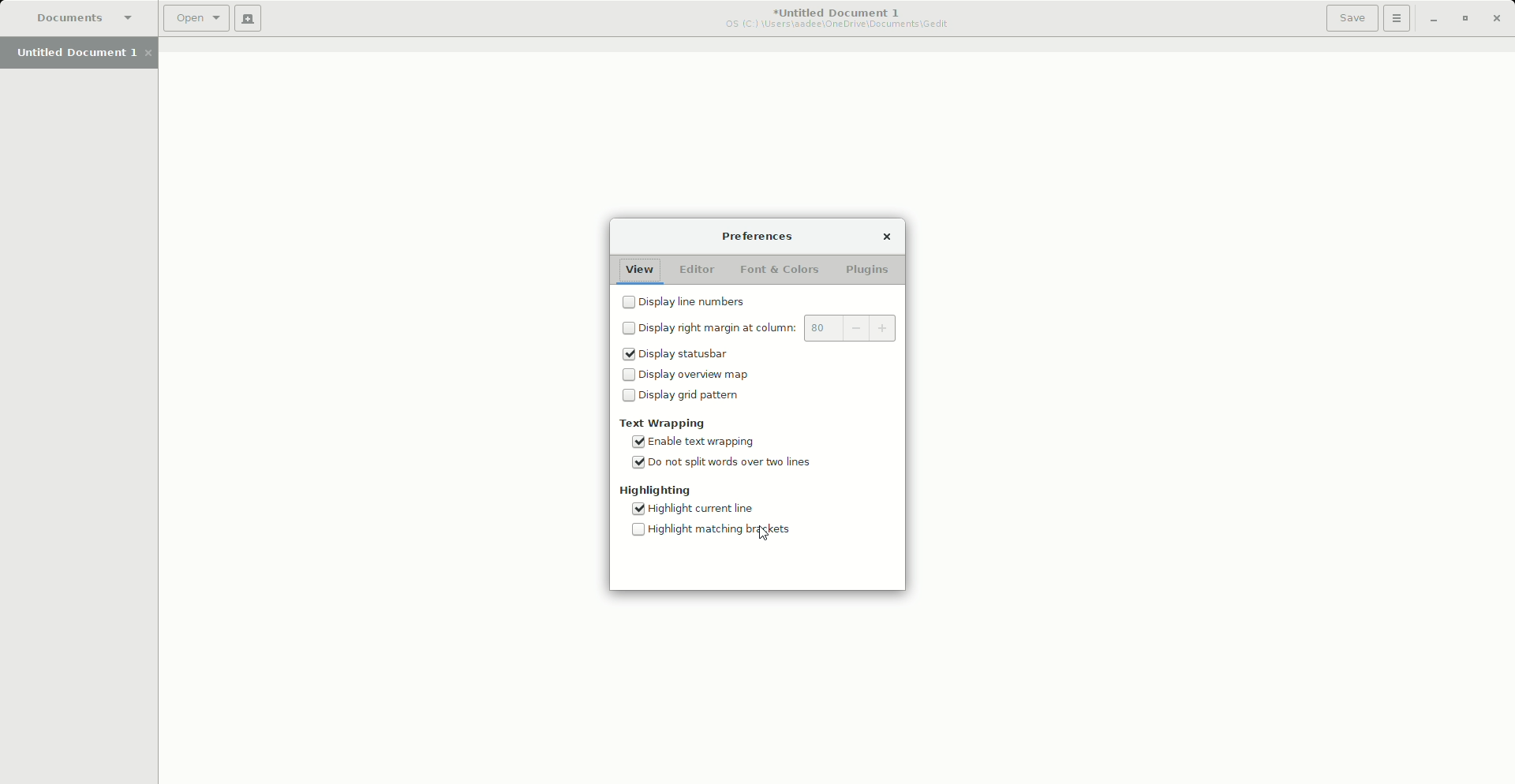  I want to click on Highlighting, so click(653, 491).